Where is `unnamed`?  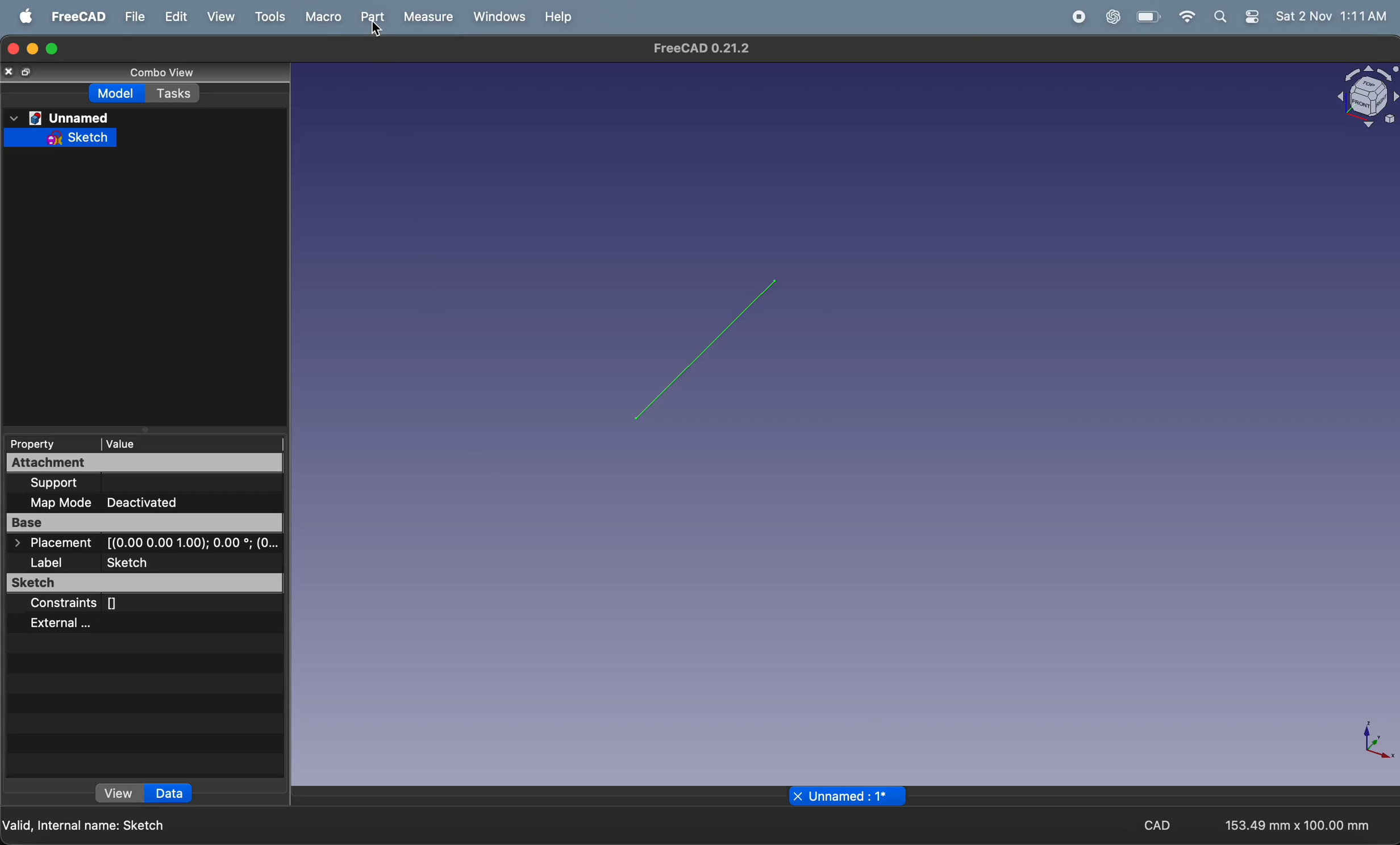 unnamed is located at coordinates (61, 118).